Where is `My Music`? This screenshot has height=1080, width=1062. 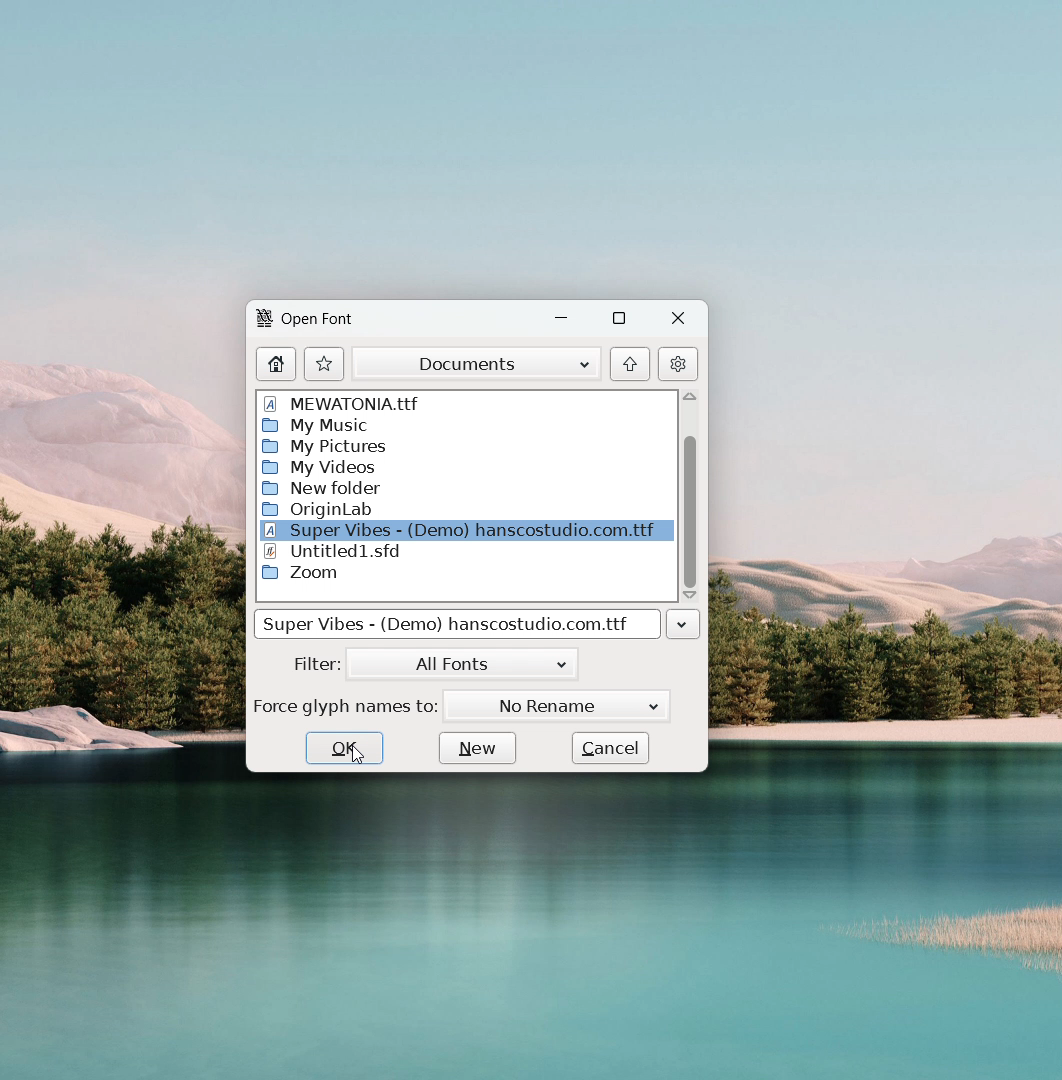
My Music is located at coordinates (326, 425).